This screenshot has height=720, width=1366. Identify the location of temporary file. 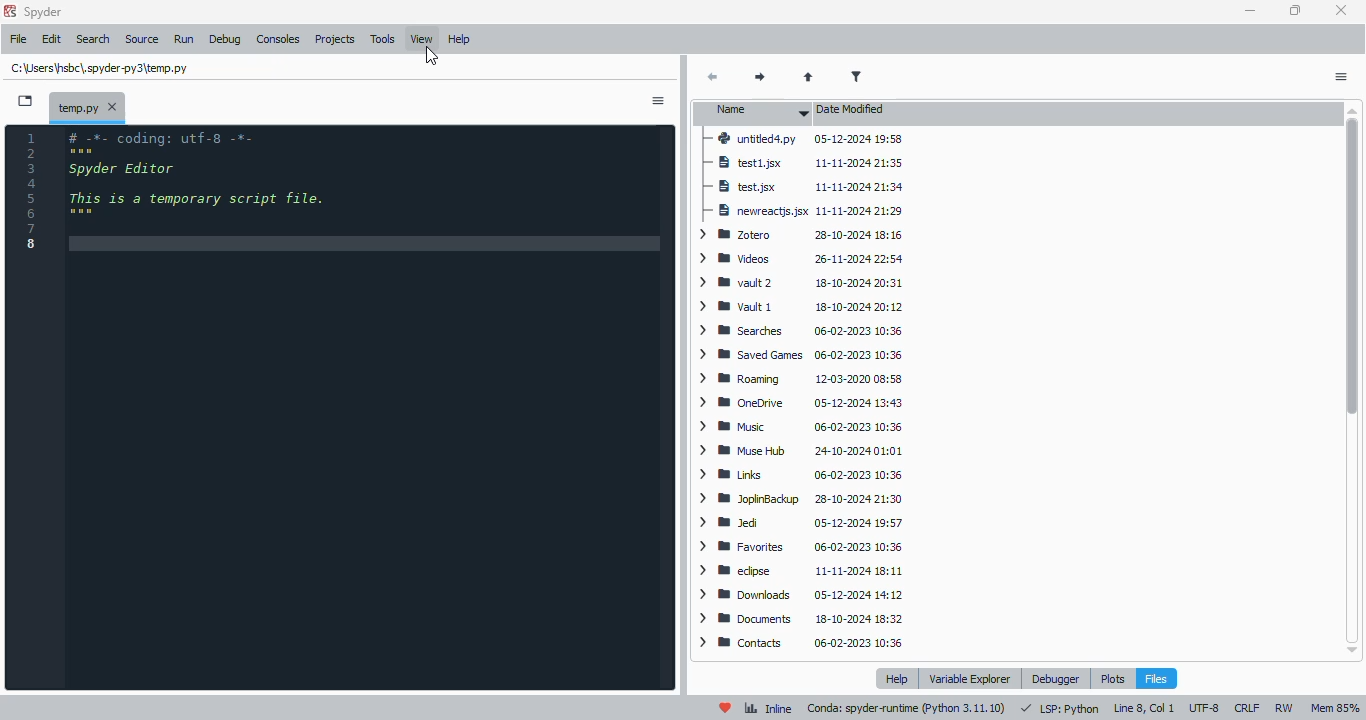
(98, 68).